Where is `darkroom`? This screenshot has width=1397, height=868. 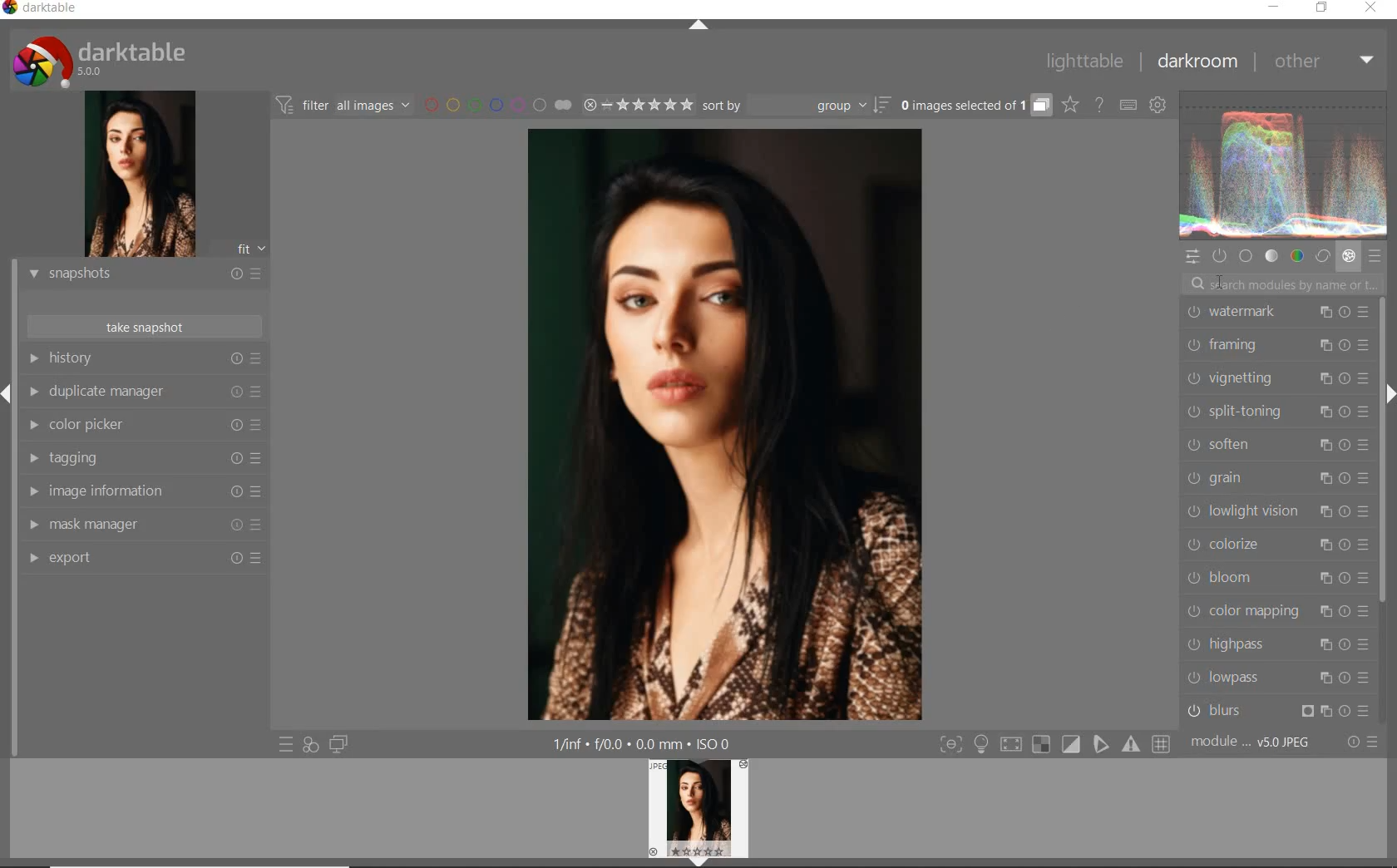
darkroom is located at coordinates (1193, 60).